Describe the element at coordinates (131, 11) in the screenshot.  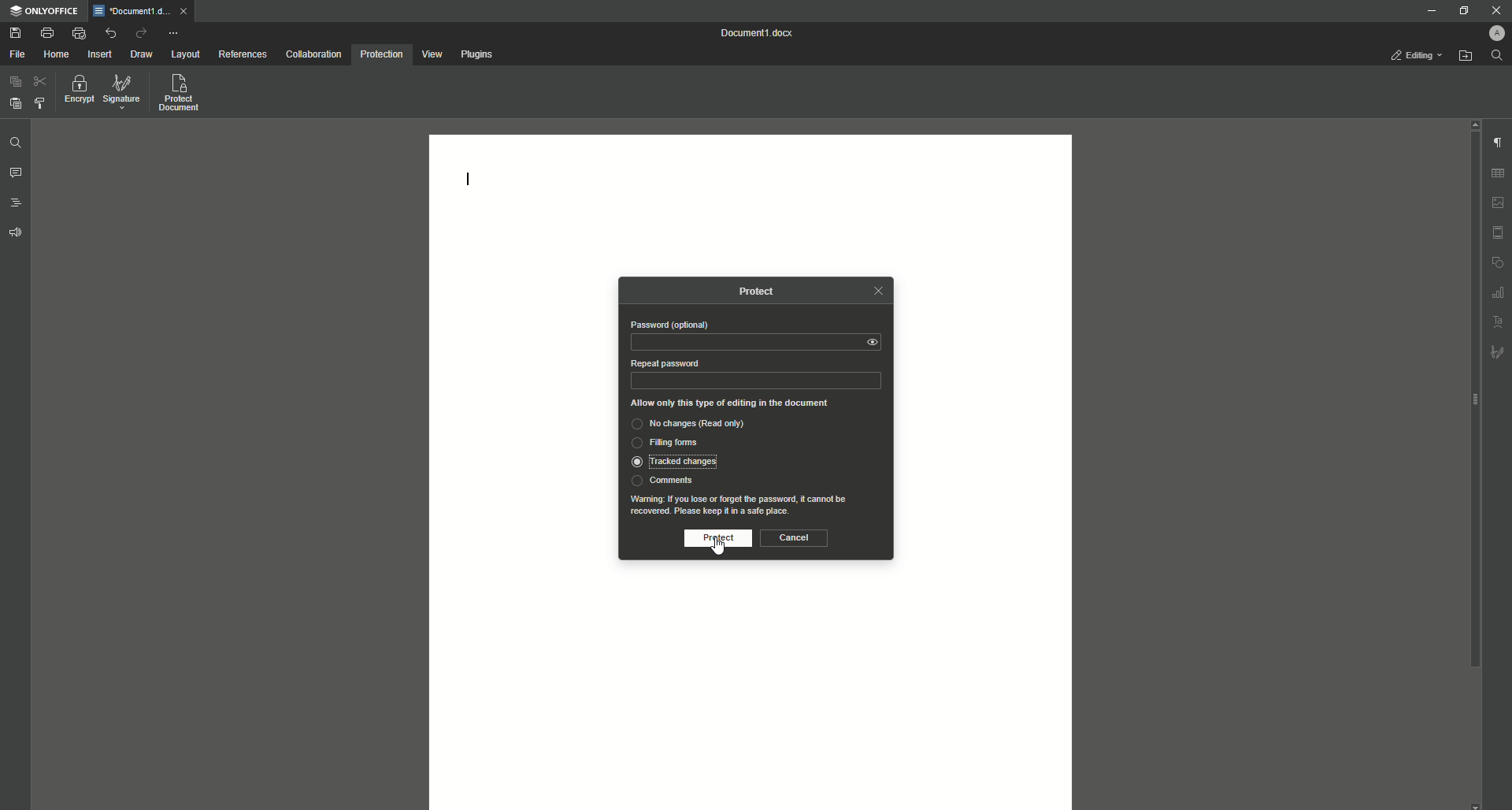
I see `Document1.docx` at that location.